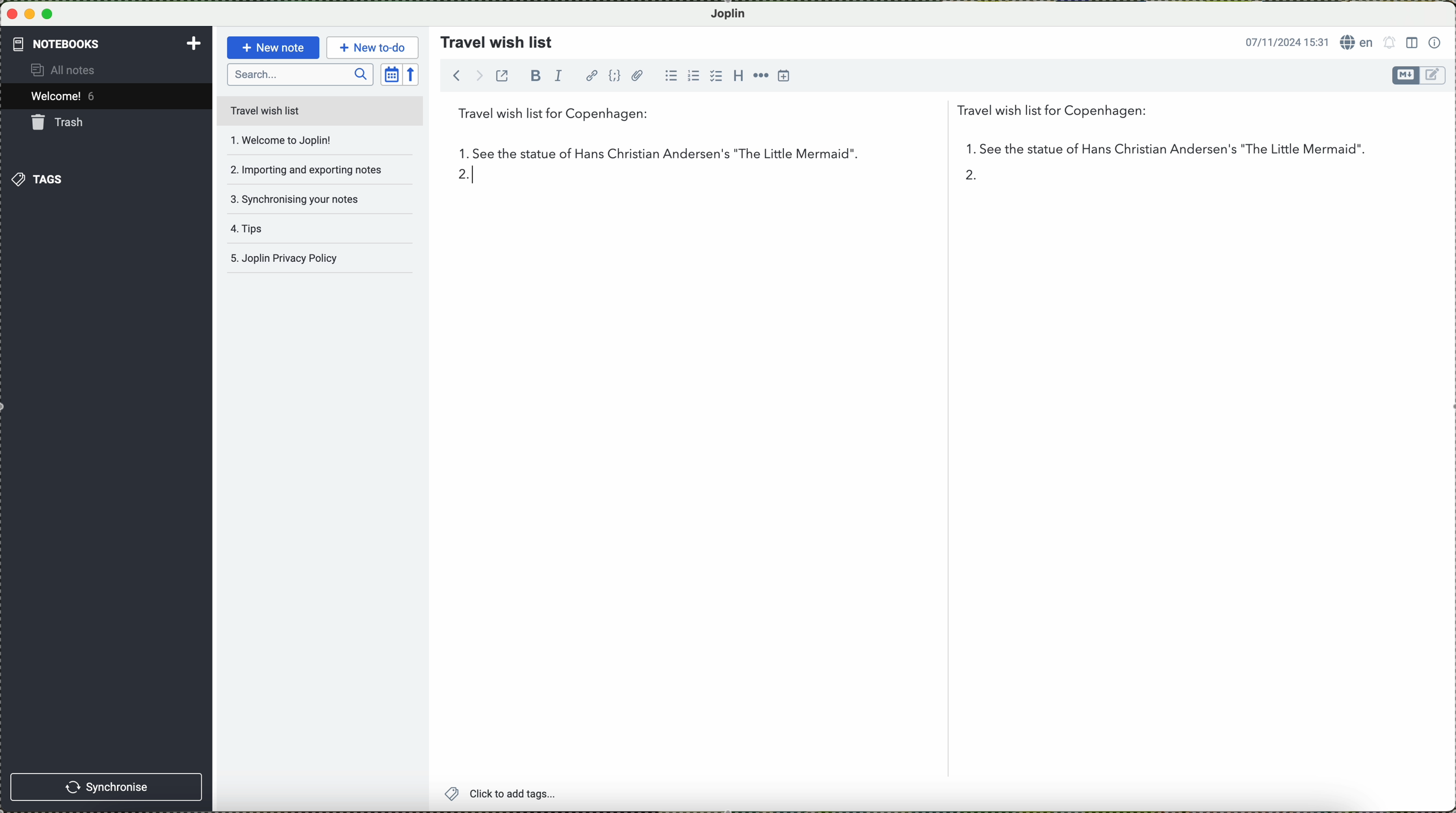 The image size is (1456, 813). I want to click on typing, so click(484, 180).